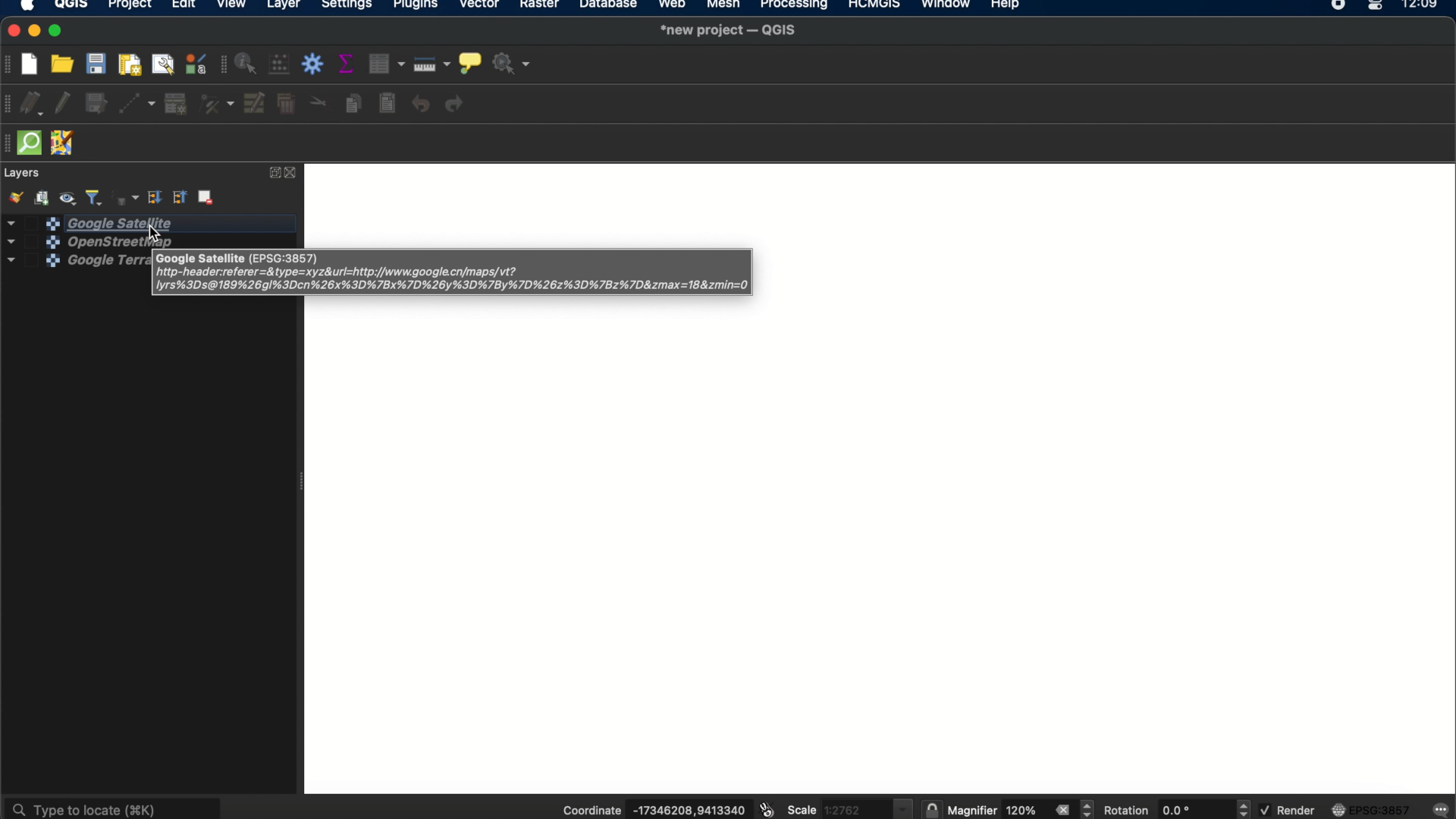 Image resolution: width=1456 pixels, height=819 pixels. I want to click on JOSM remote, so click(64, 144).